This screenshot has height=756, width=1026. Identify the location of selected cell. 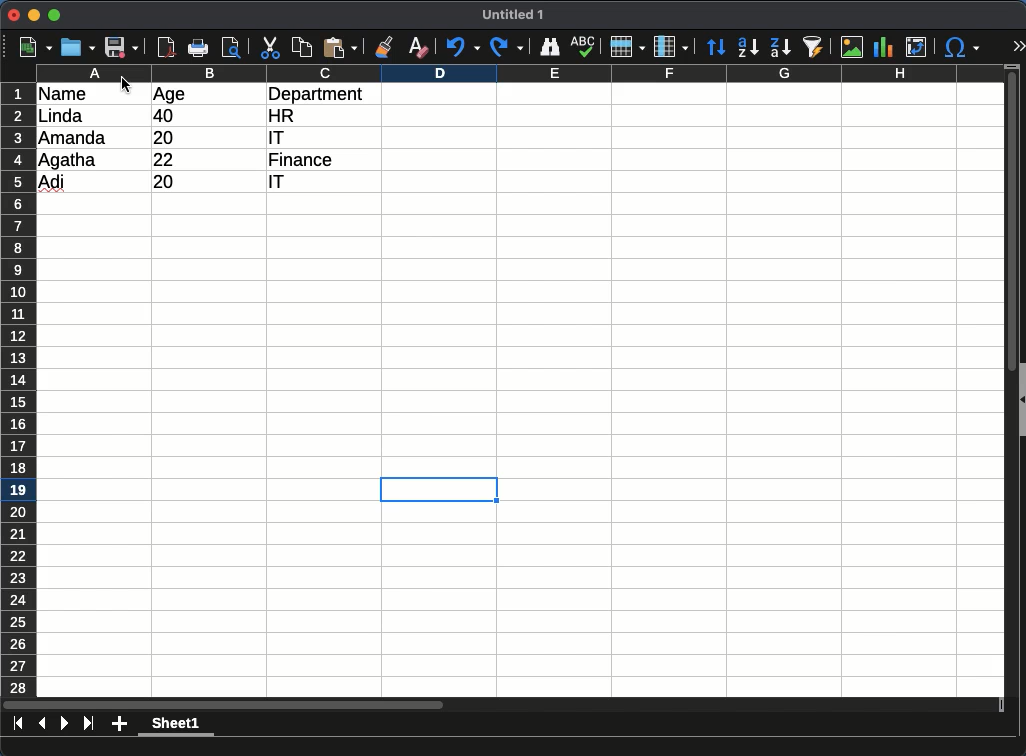
(440, 491).